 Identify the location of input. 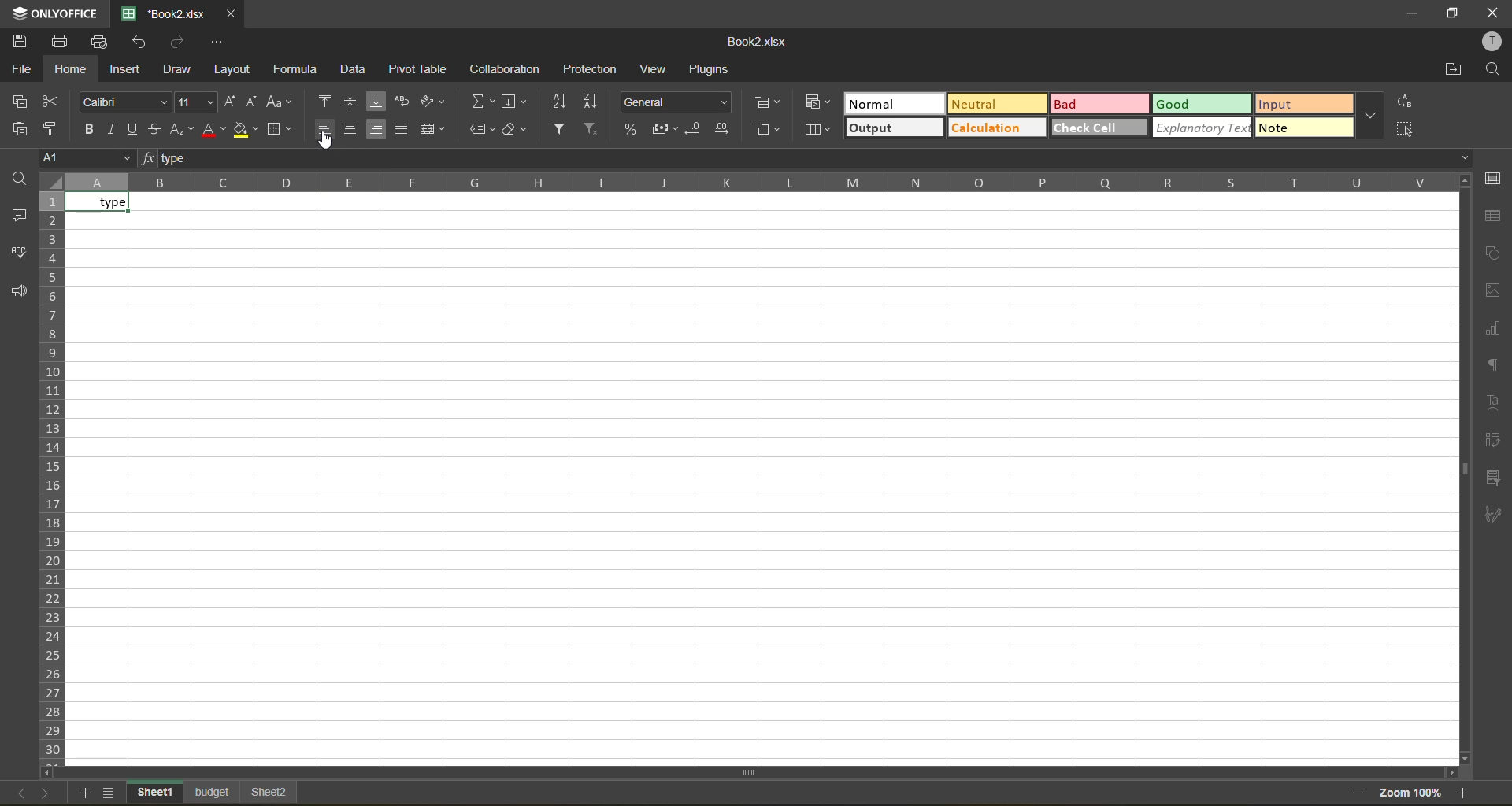
(1309, 105).